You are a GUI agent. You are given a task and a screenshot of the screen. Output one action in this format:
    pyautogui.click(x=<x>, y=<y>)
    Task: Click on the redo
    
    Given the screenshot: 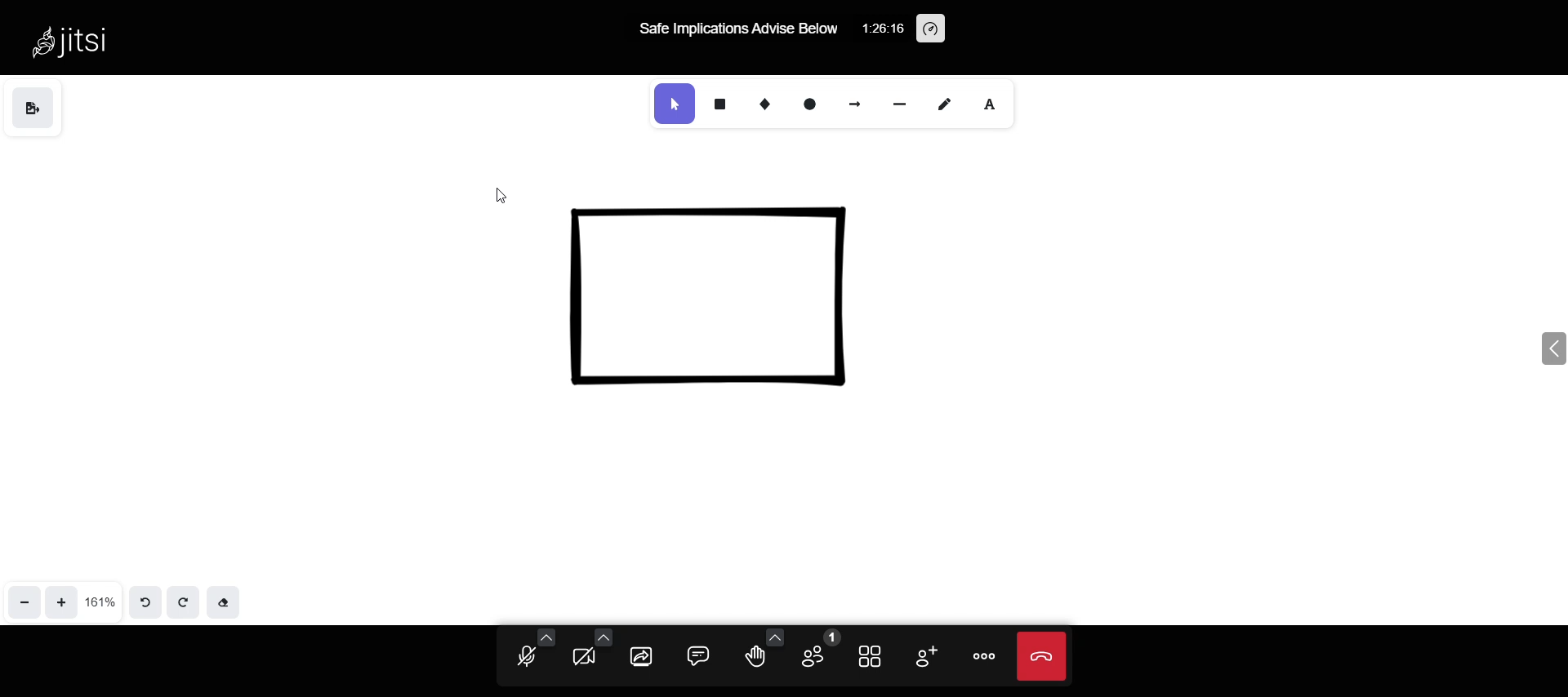 What is the action you would take?
    pyautogui.click(x=185, y=601)
    